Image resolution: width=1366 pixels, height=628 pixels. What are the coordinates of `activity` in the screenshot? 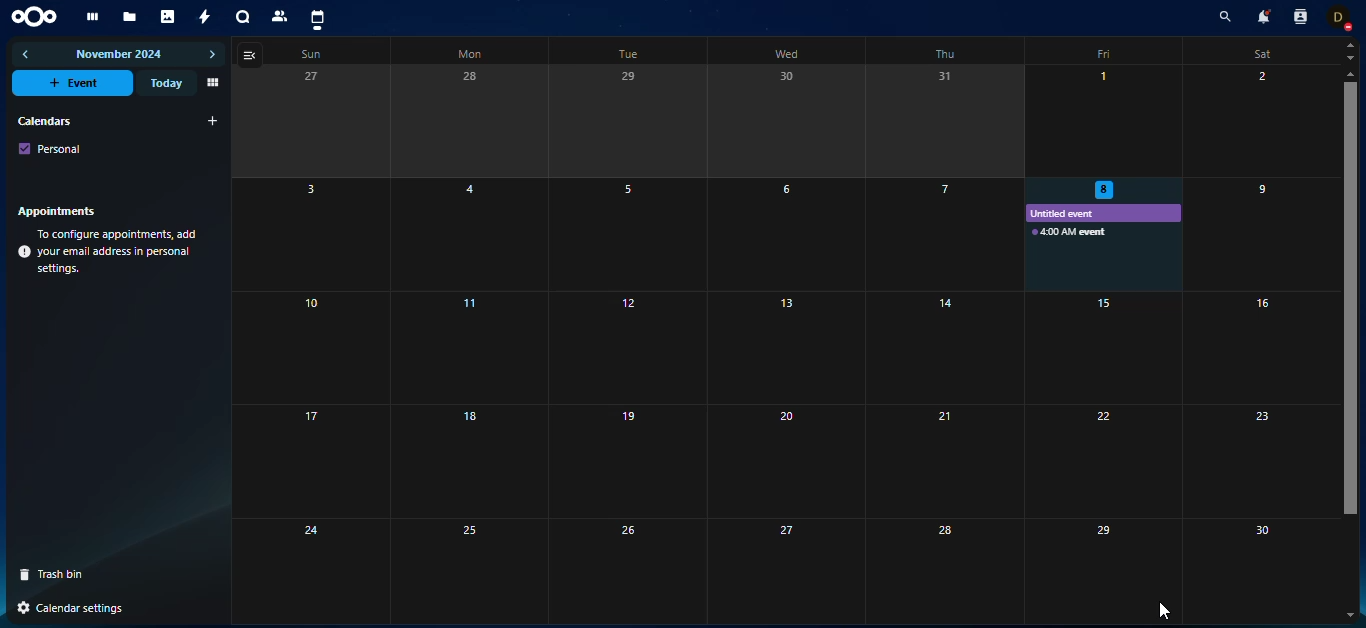 It's located at (206, 17).